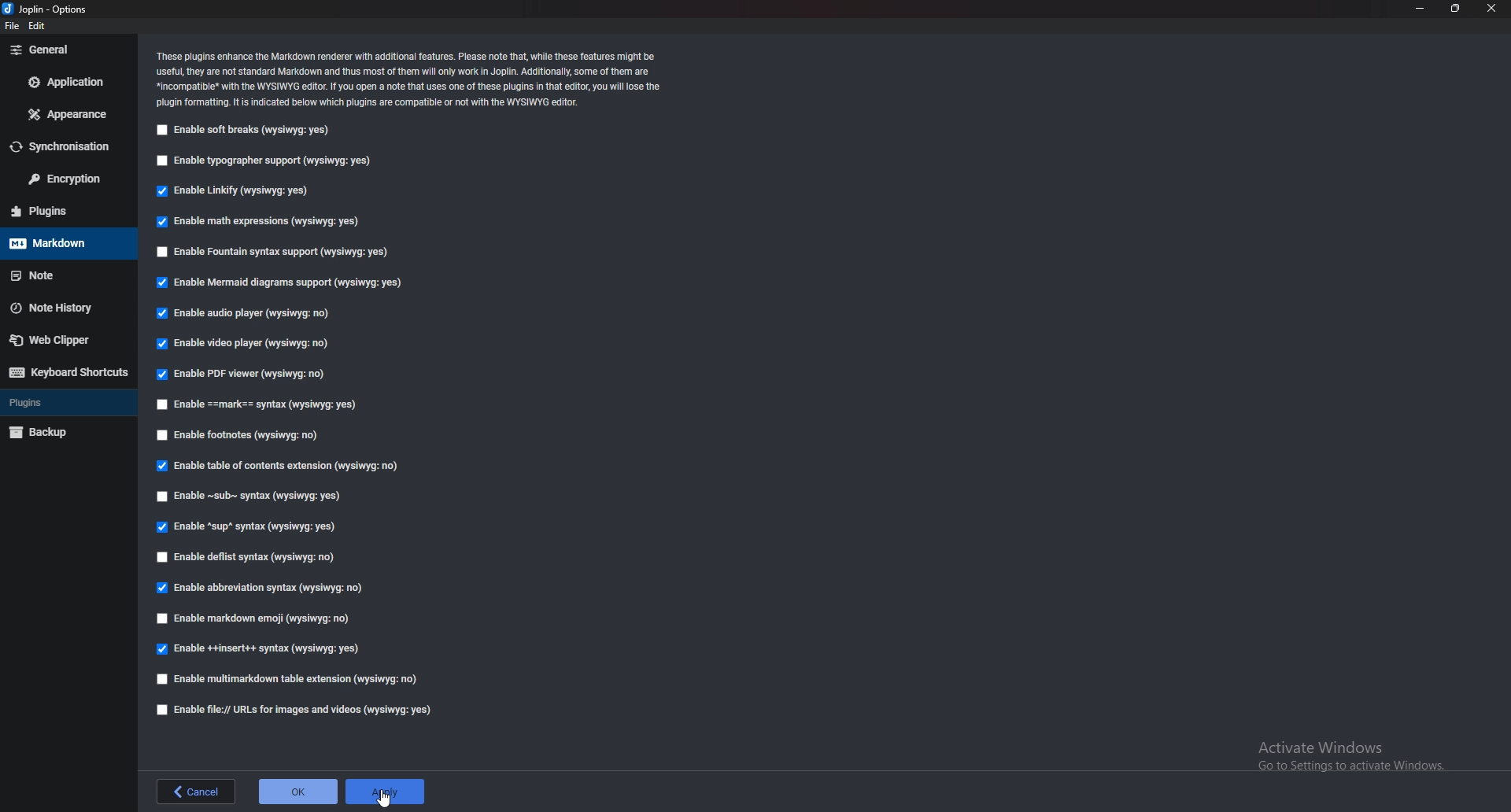  I want to click on Enable file urls for images and videos, so click(293, 710).